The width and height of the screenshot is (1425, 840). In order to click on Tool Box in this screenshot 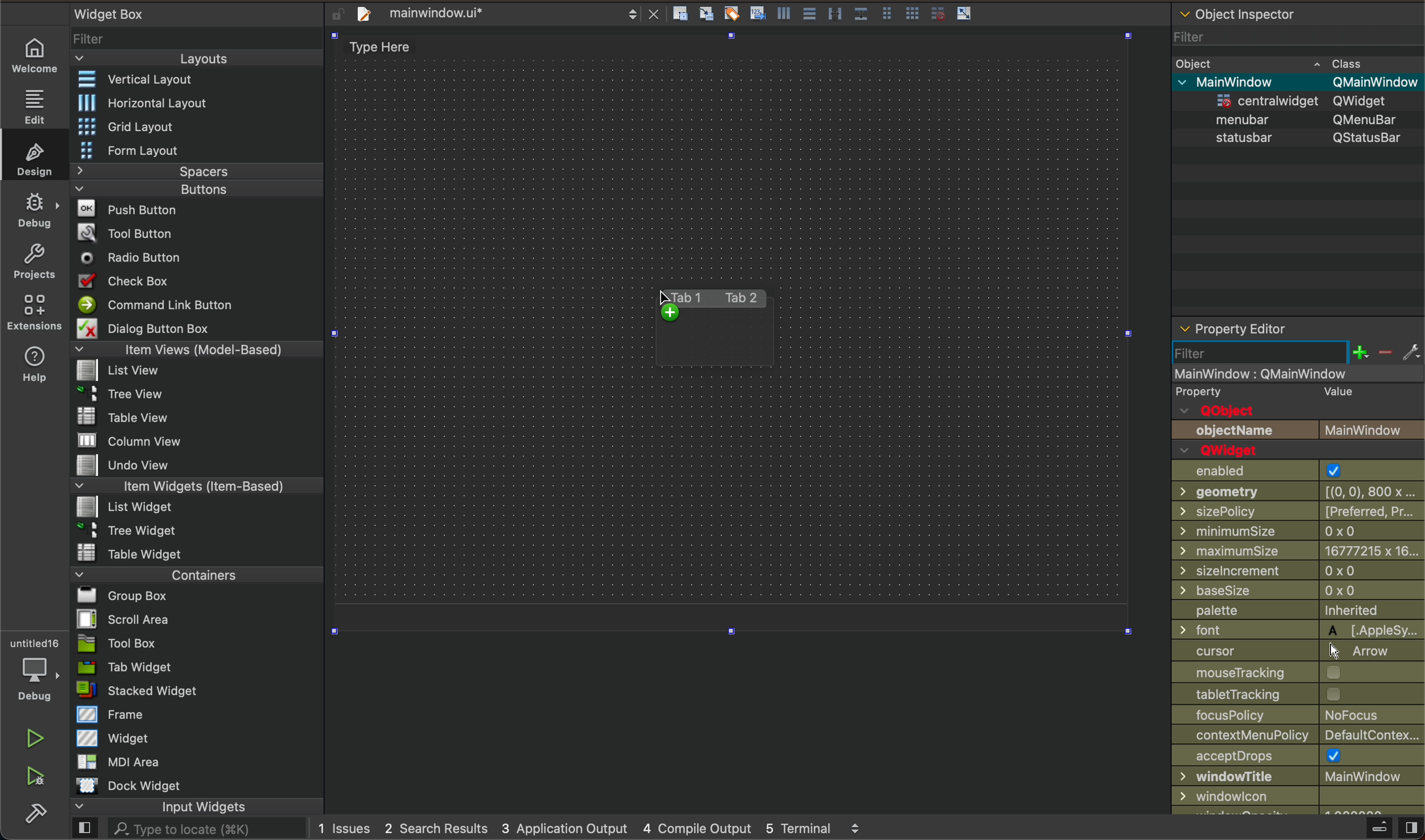, I will do `click(134, 645)`.